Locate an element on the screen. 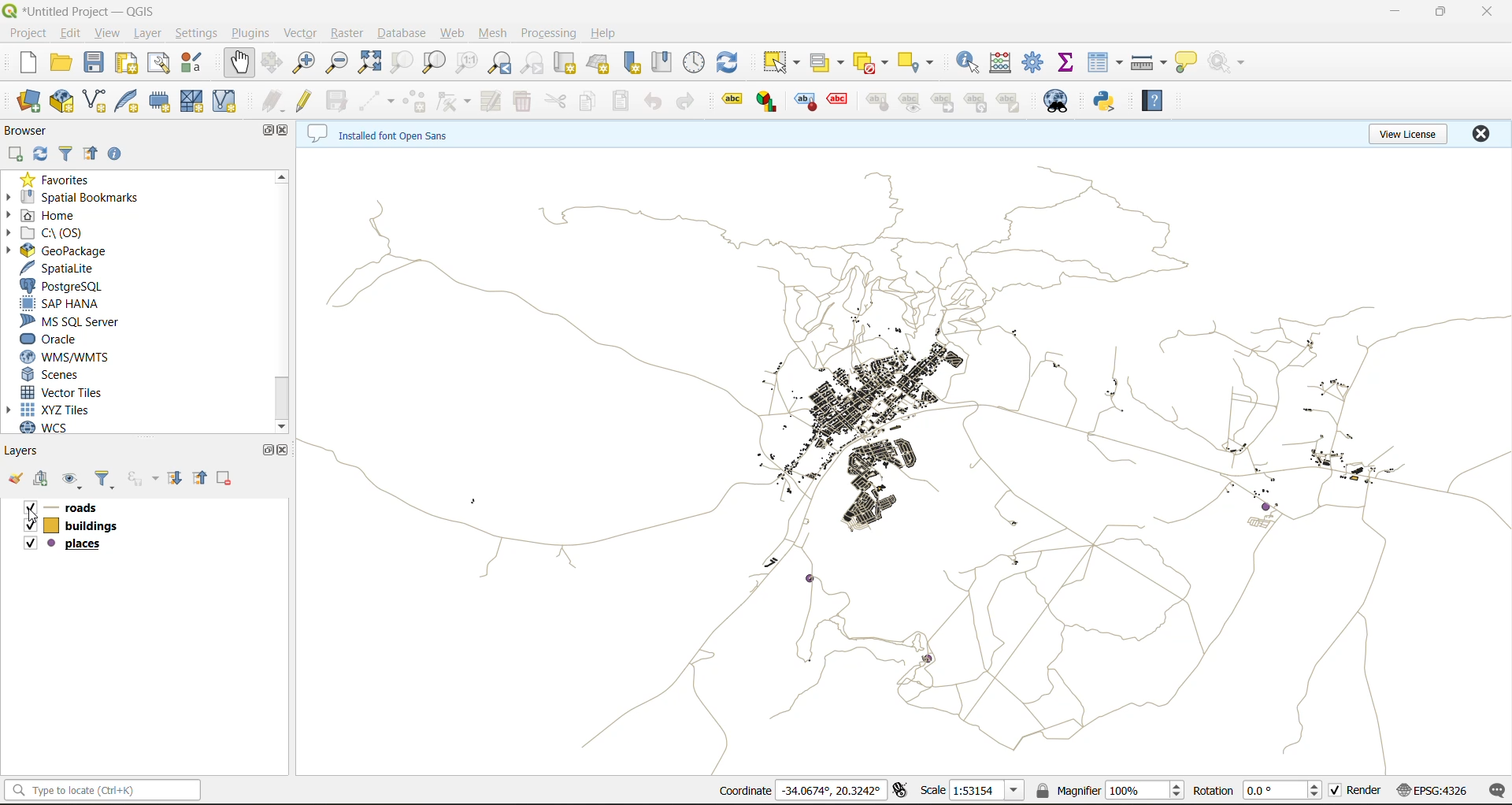 Image resolution: width=1512 pixels, height=805 pixels. attributes table is located at coordinates (1108, 60).